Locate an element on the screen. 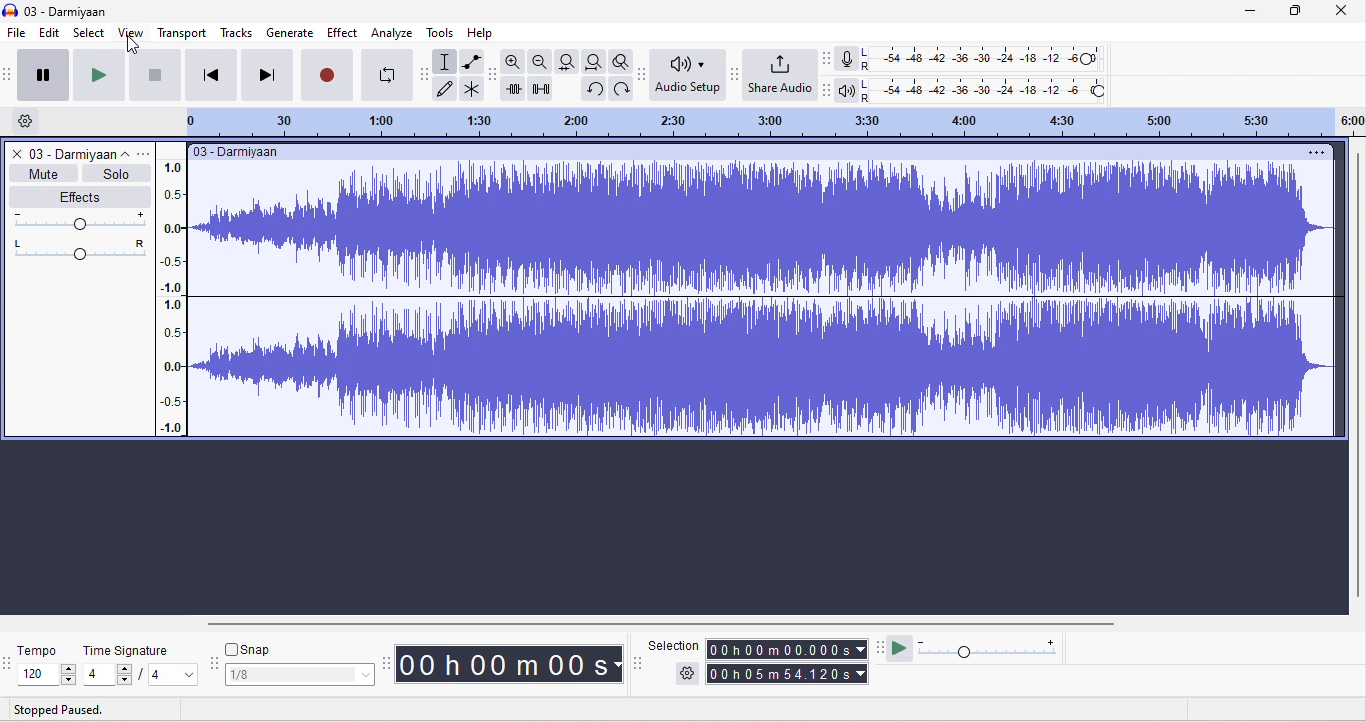 The width and height of the screenshot is (1366, 722). L is located at coordinates (868, 85).